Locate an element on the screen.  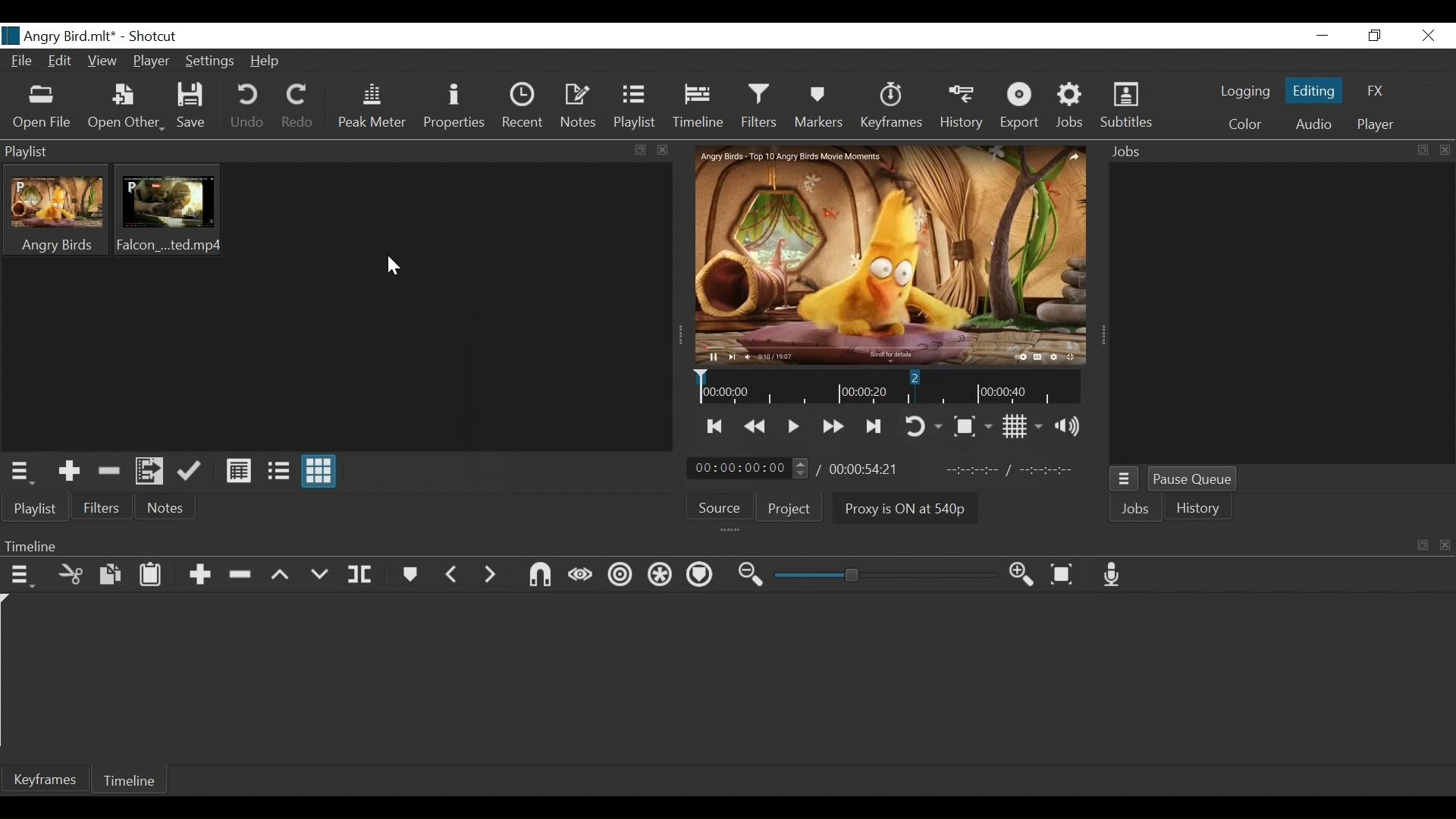
Project is located at coordinates (795, 509).